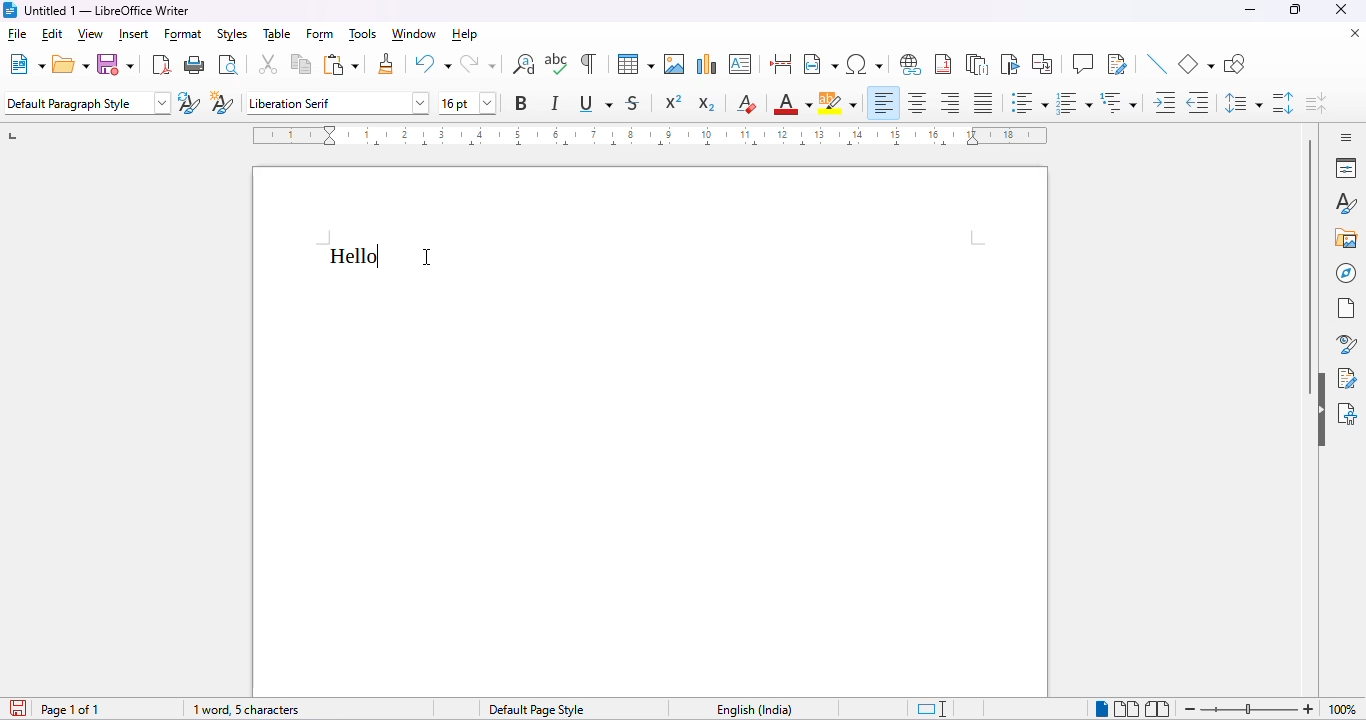 The height and width of the screenshot is (720, 1366). I want to click on insert table, so click(636, 64).